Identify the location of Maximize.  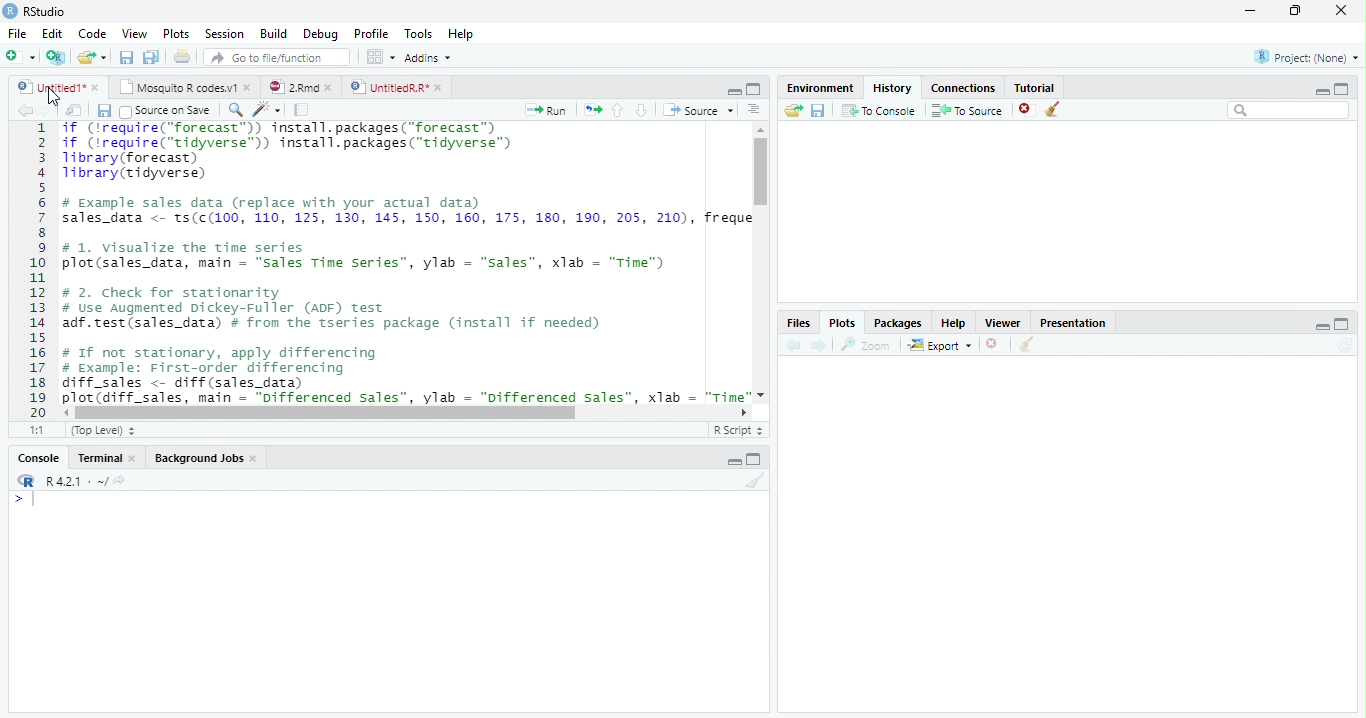
(1342, 325).